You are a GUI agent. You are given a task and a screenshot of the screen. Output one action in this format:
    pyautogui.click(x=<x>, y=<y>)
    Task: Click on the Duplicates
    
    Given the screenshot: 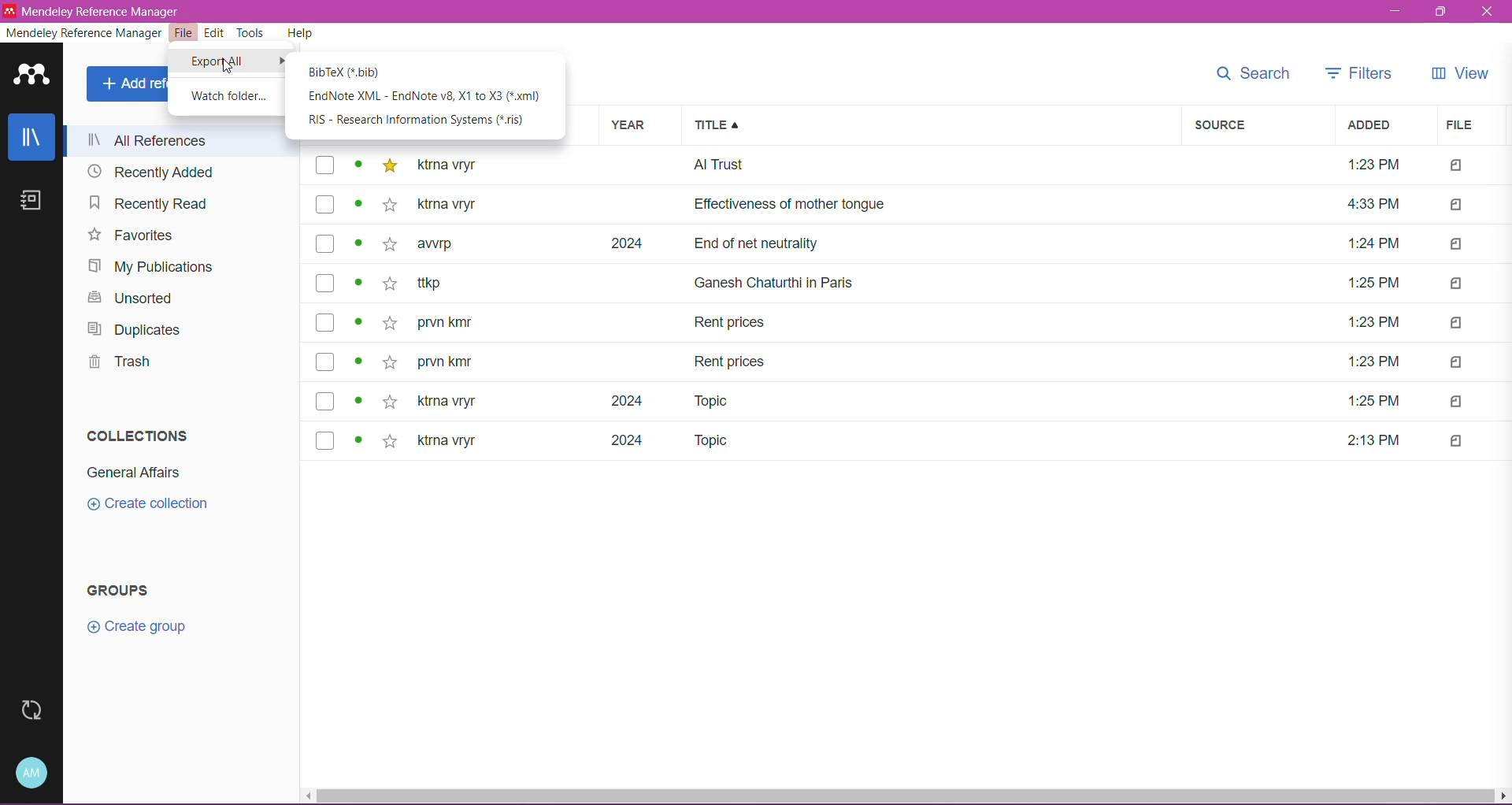 What is the action you would take?
    pyautogui.click(x=137, y=331)
    